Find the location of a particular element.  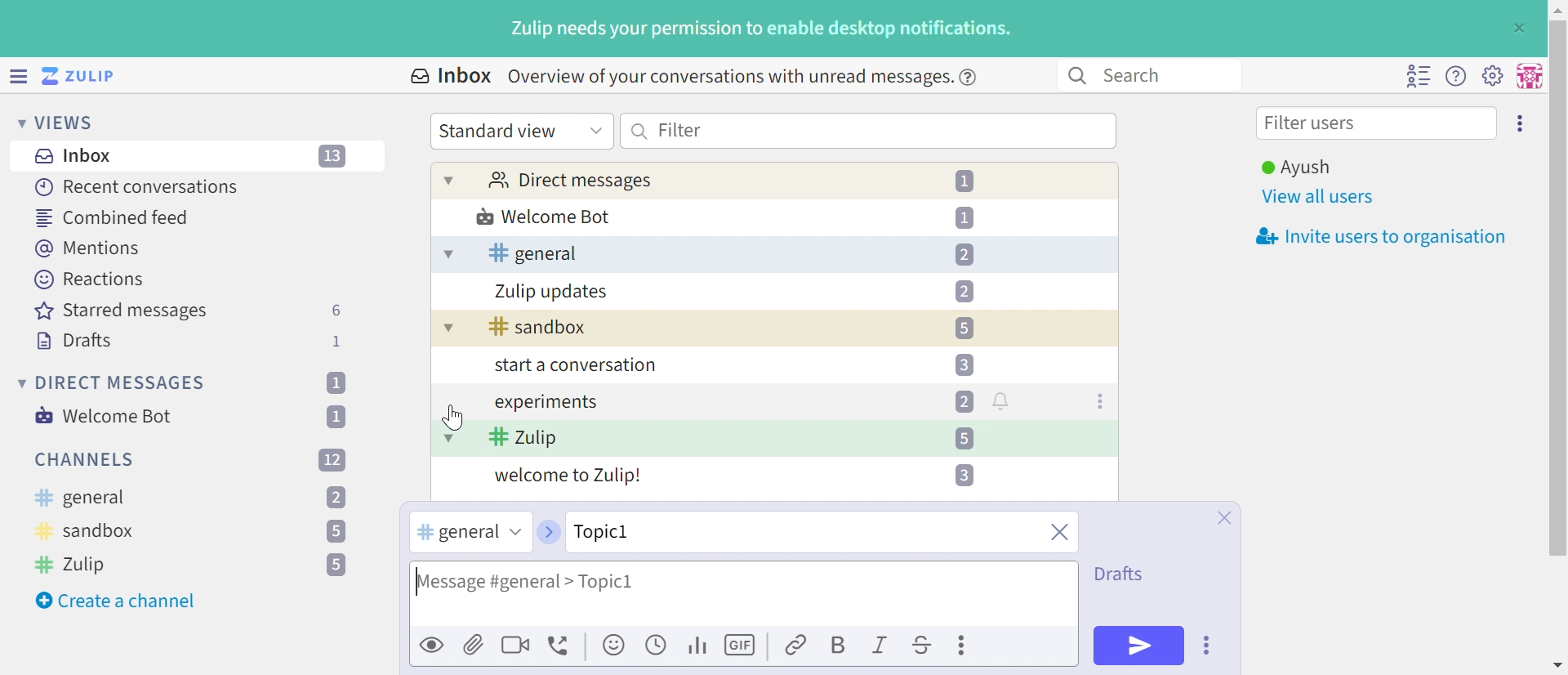

Upload files is located at coordinates (474, 644).